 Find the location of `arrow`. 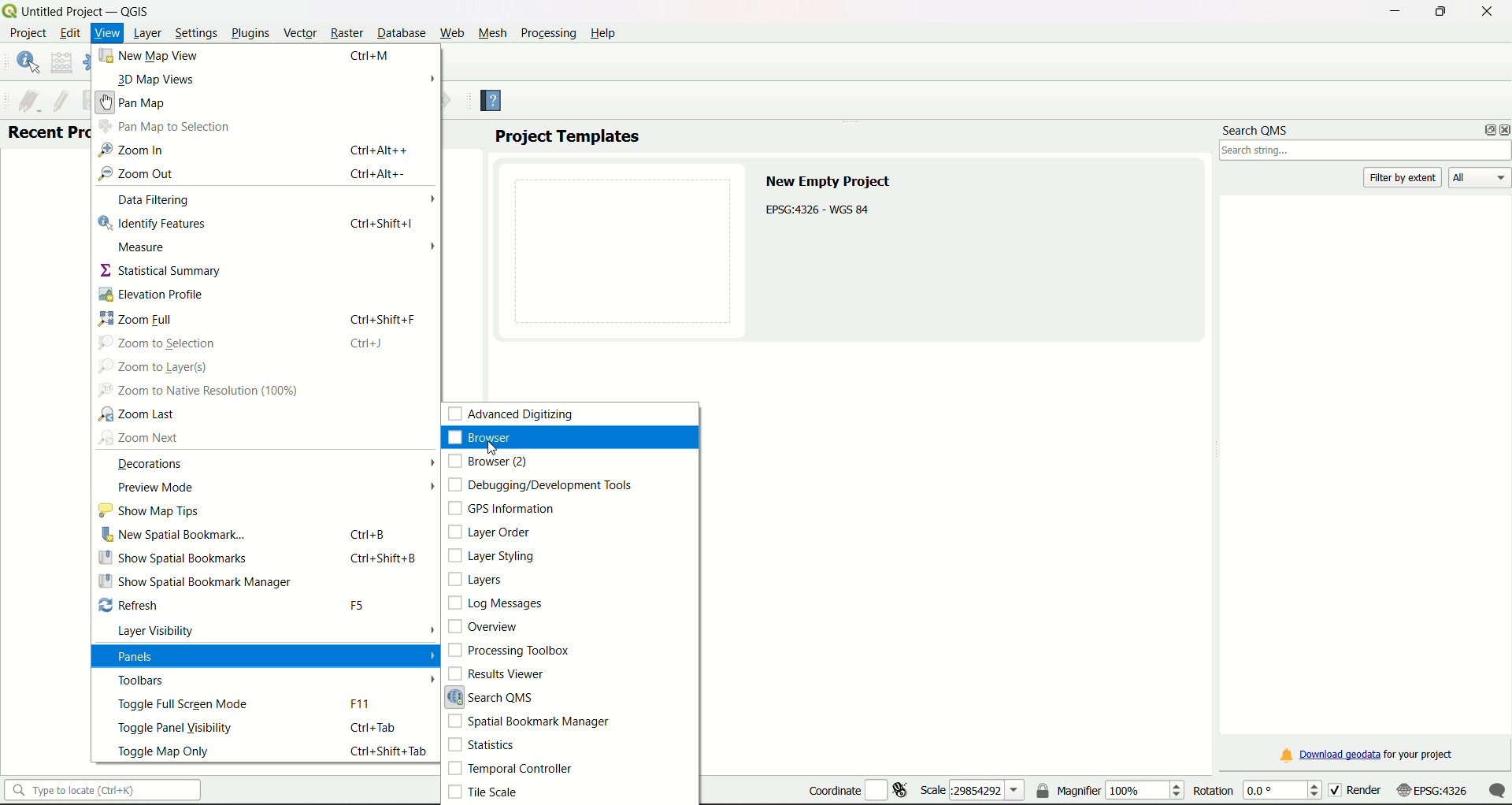

arrow is located at coordinates (429, 80).